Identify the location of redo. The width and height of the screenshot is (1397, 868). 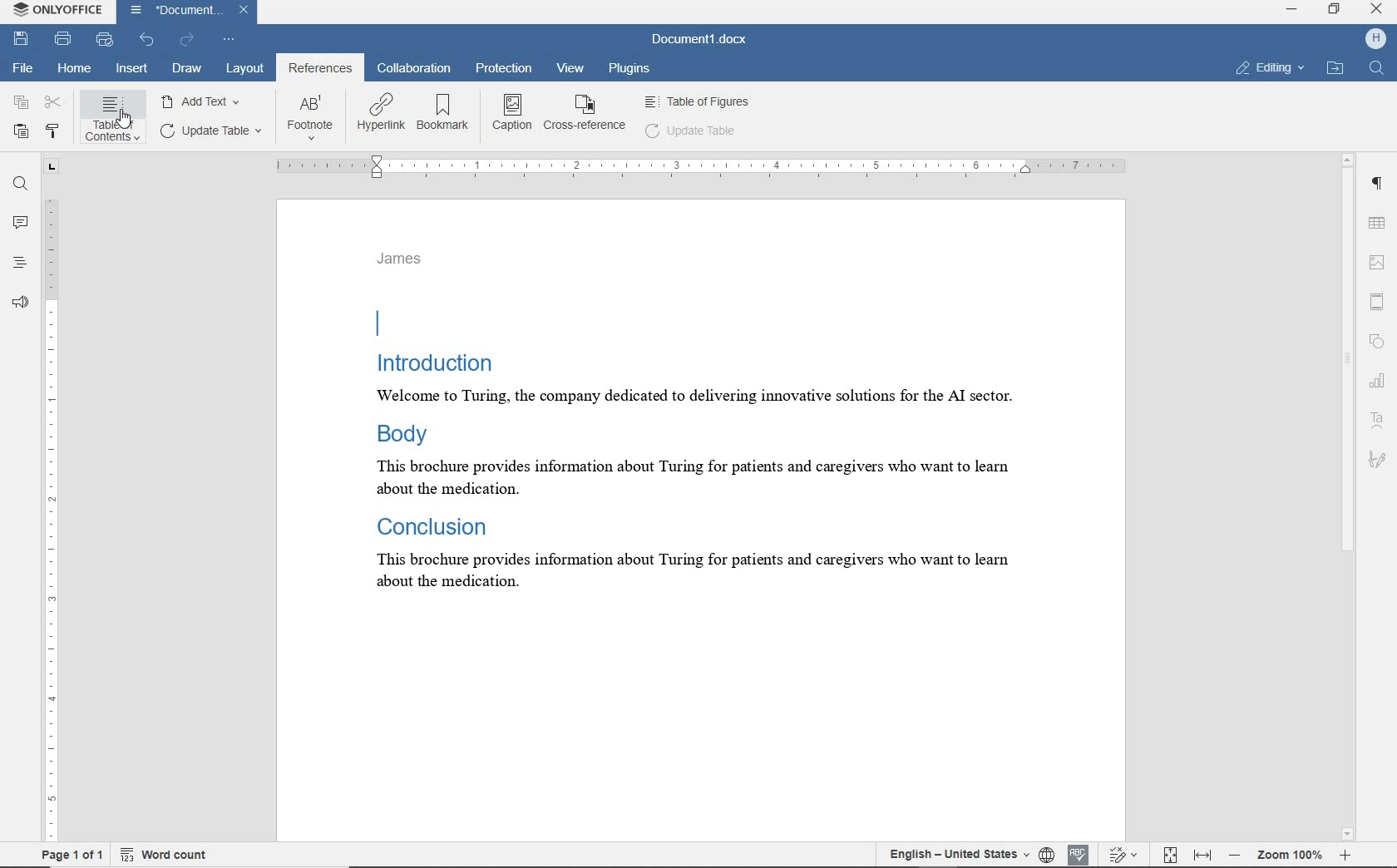
(189, 40).